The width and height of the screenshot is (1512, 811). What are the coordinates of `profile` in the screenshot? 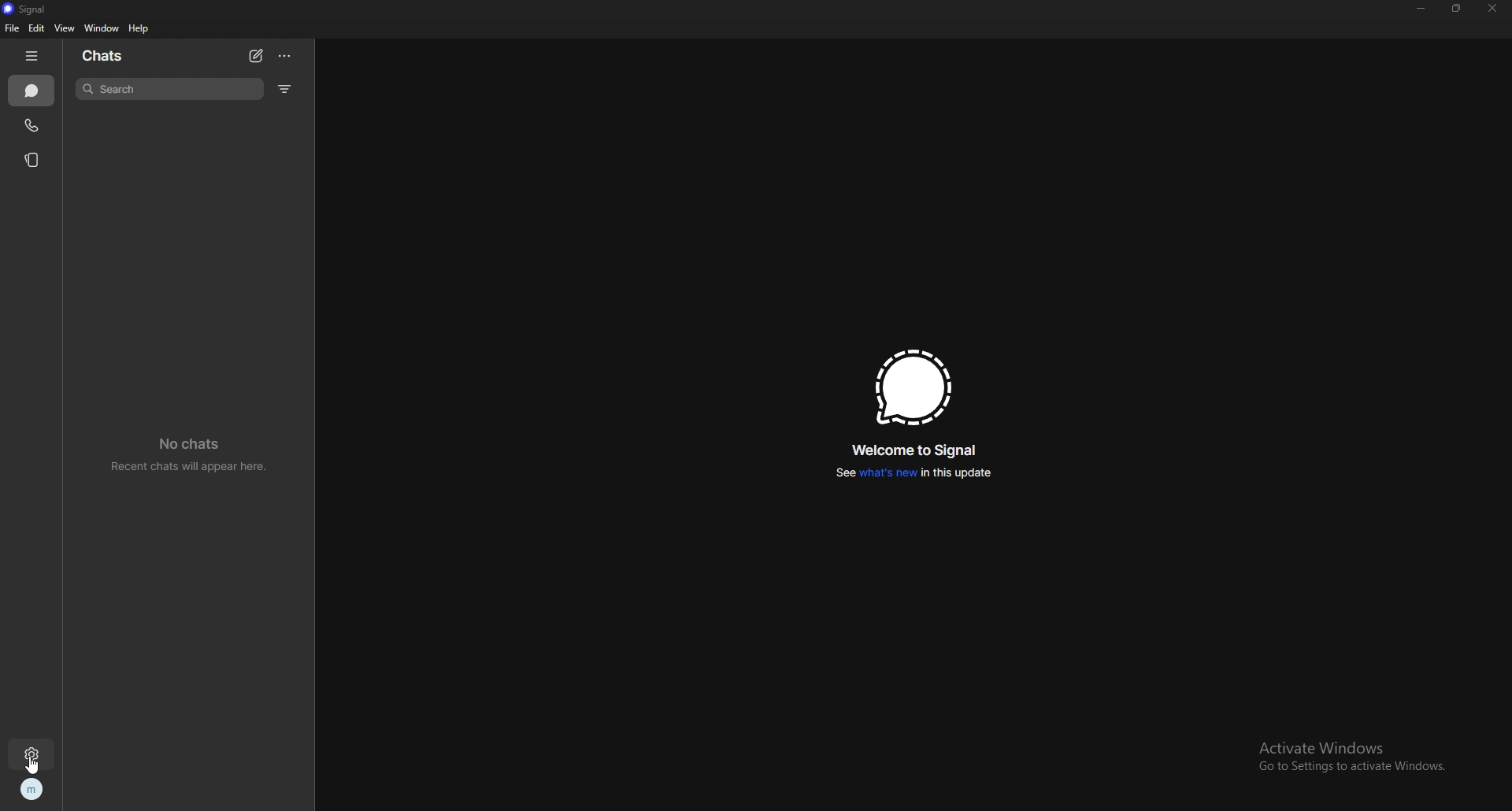 It's located at (34, 789).